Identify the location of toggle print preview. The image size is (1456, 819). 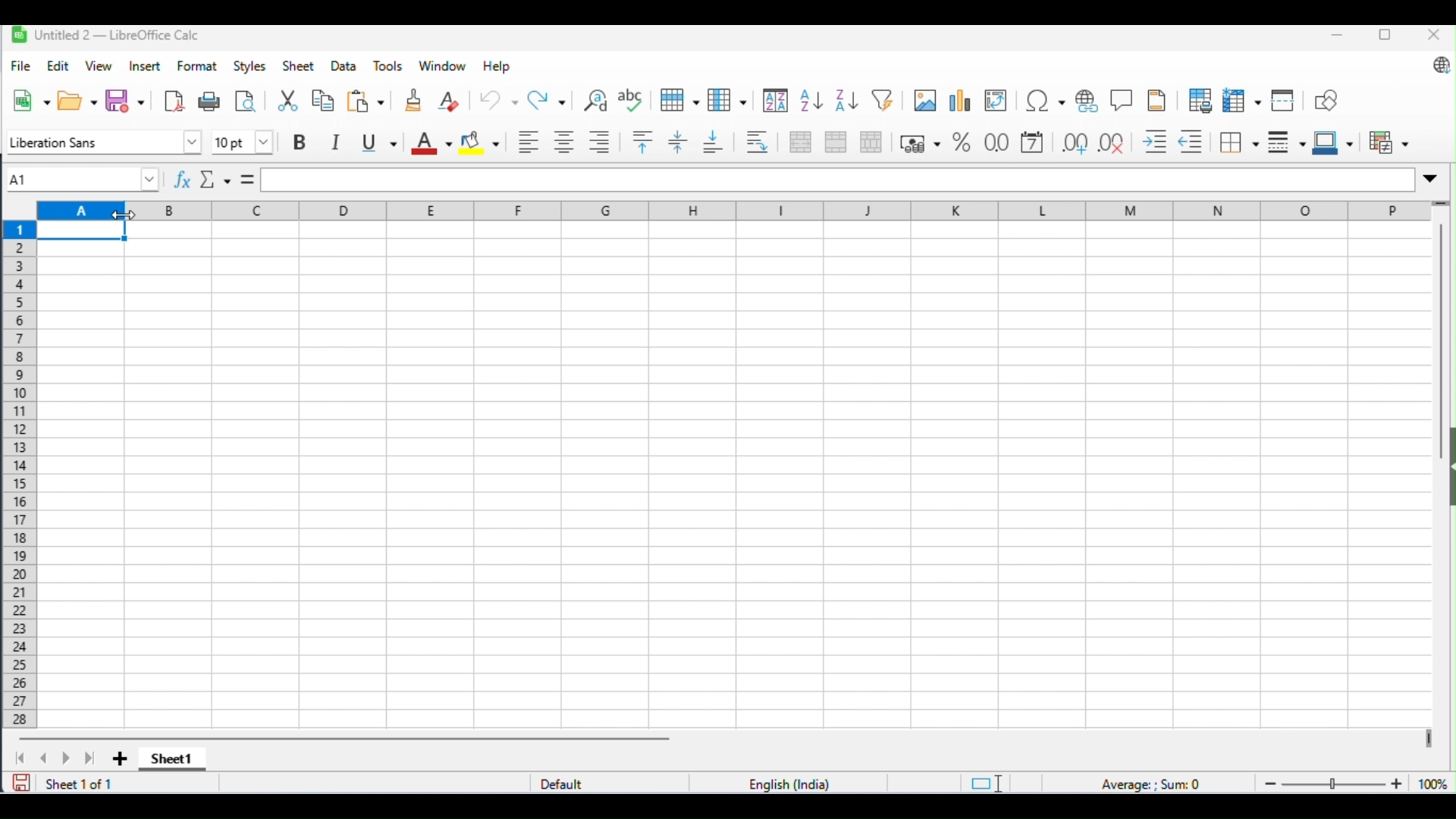
(246, 101).